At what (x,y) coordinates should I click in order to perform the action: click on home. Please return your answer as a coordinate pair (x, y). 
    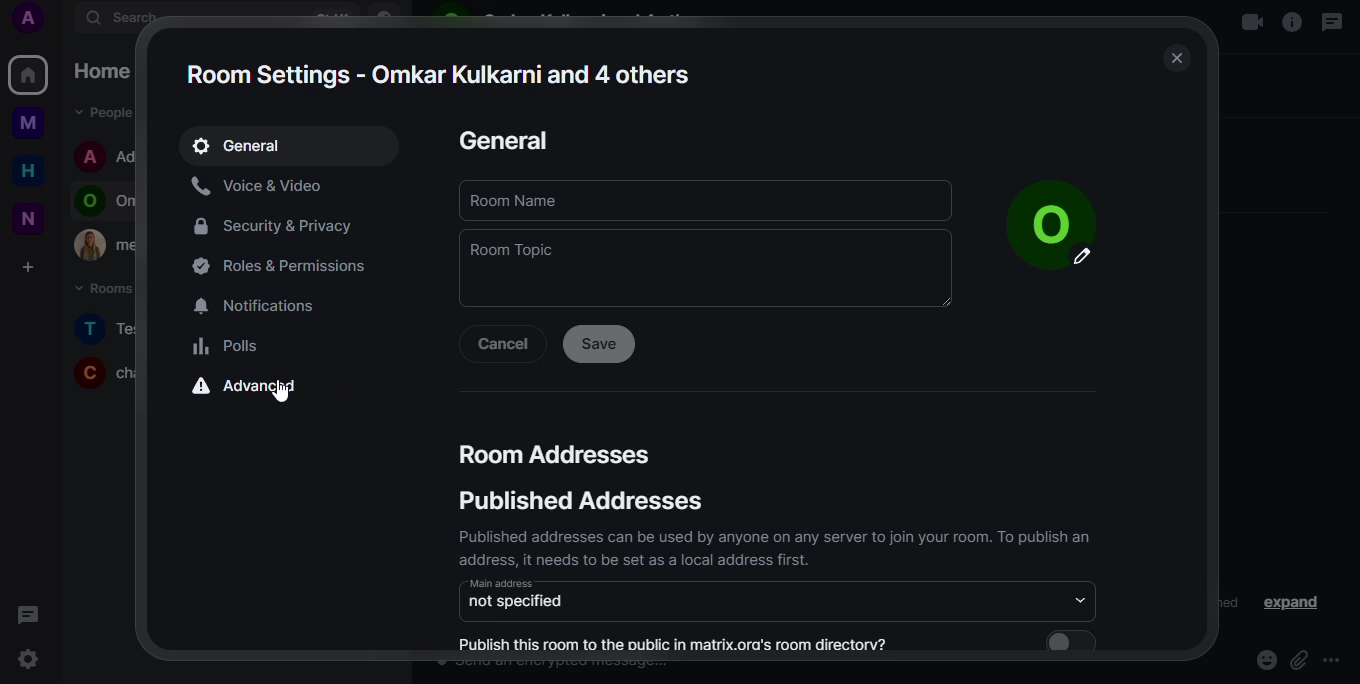
    Looking at the image, I should click on (117, 72).